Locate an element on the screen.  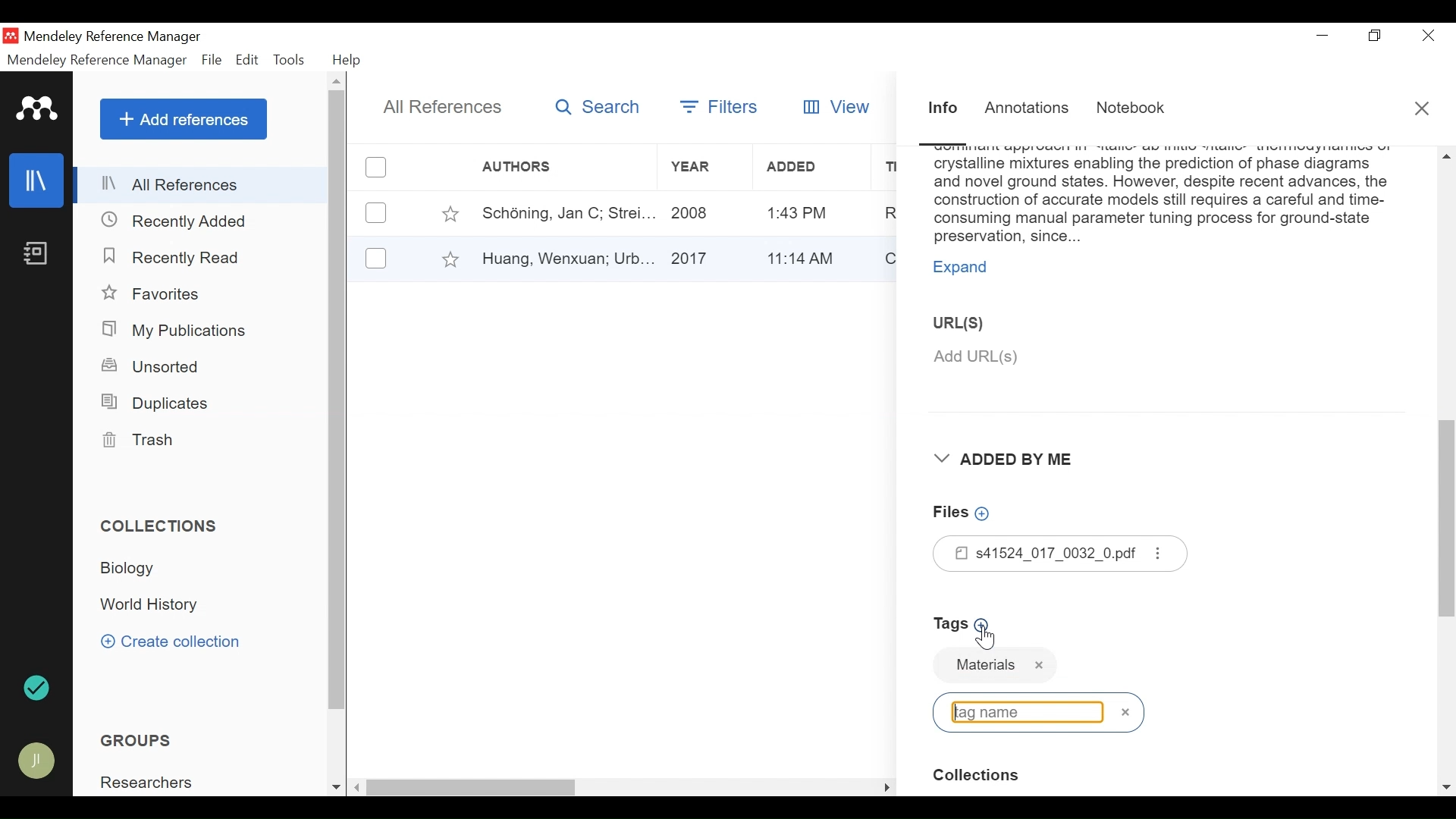
Mendeley Reference Manager is located at coordinates (97, 62).